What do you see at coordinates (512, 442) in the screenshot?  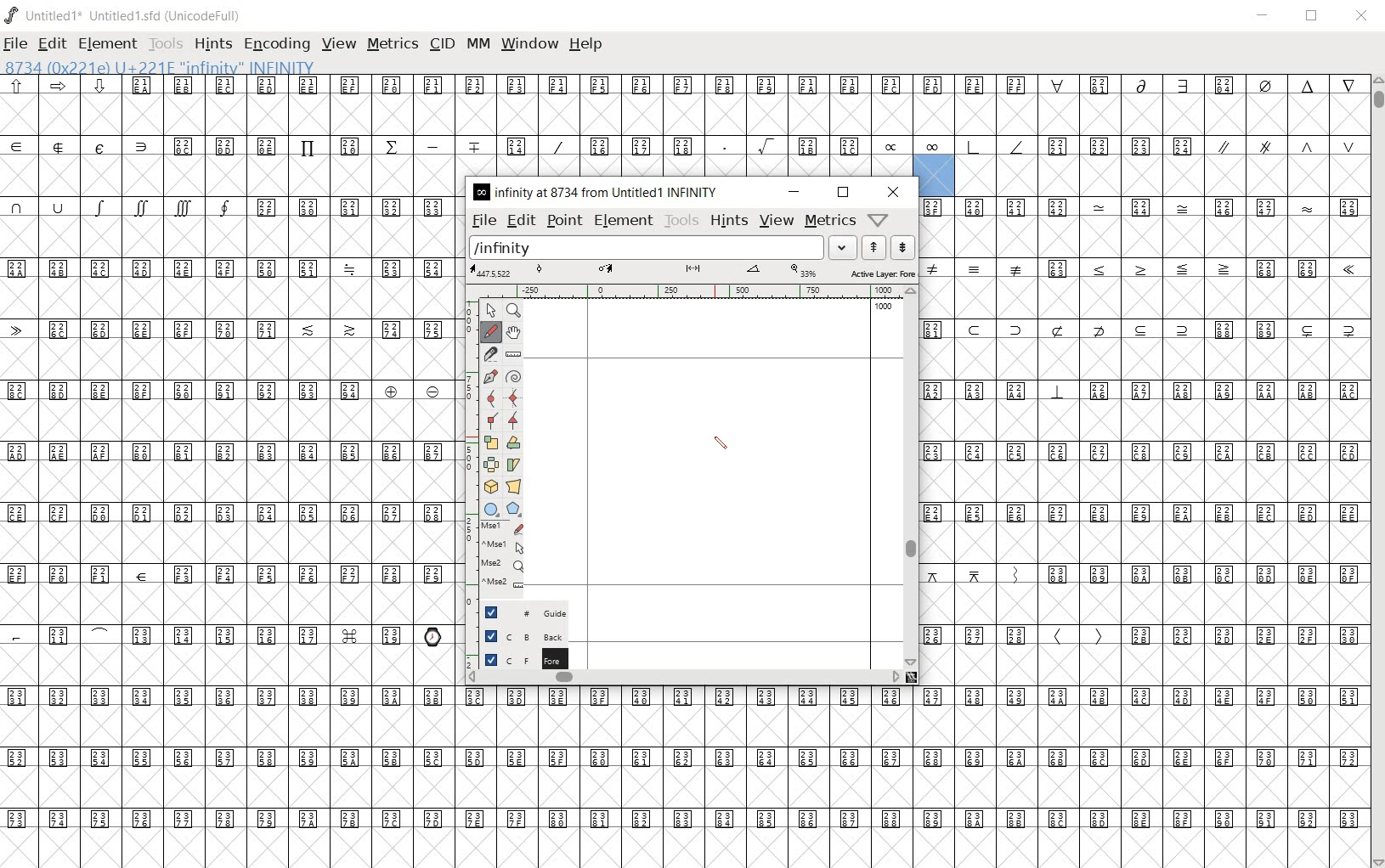 I see `Rotate the selection` at bounding box center [512, 442].